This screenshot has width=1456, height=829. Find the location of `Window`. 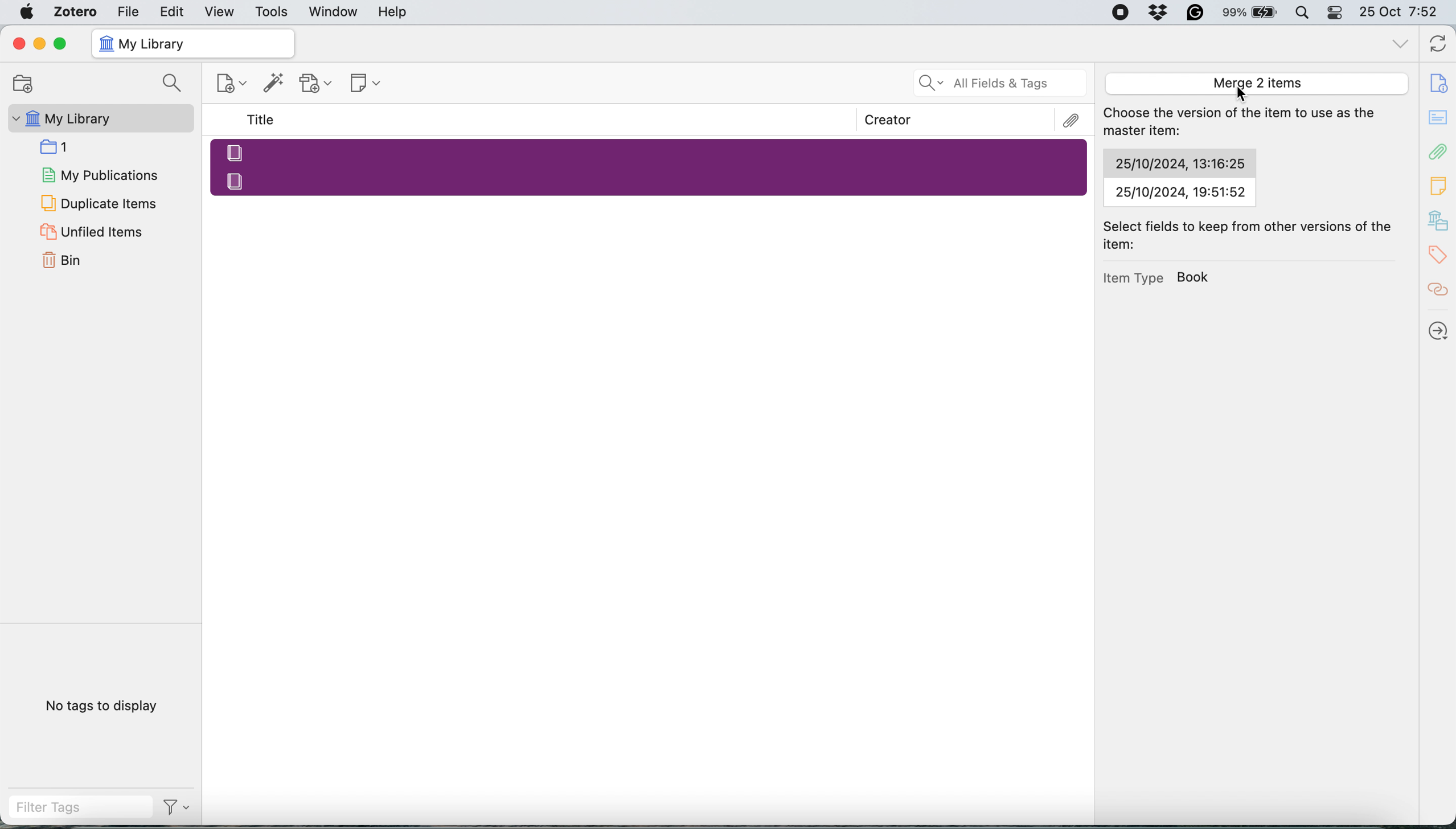

Window is located at coordinates (334, 12).